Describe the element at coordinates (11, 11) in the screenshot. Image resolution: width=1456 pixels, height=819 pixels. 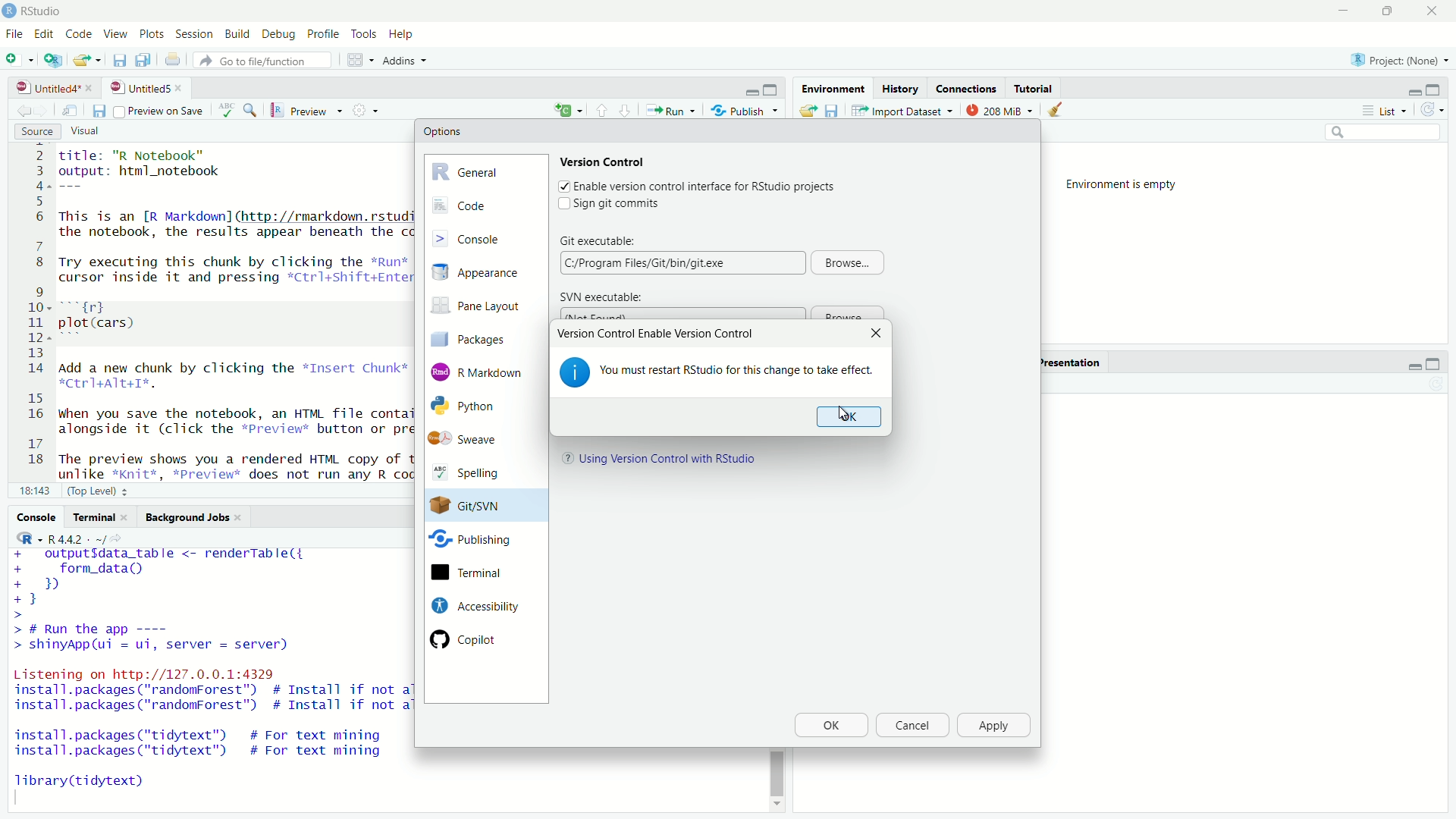
I see `logo` at that location.